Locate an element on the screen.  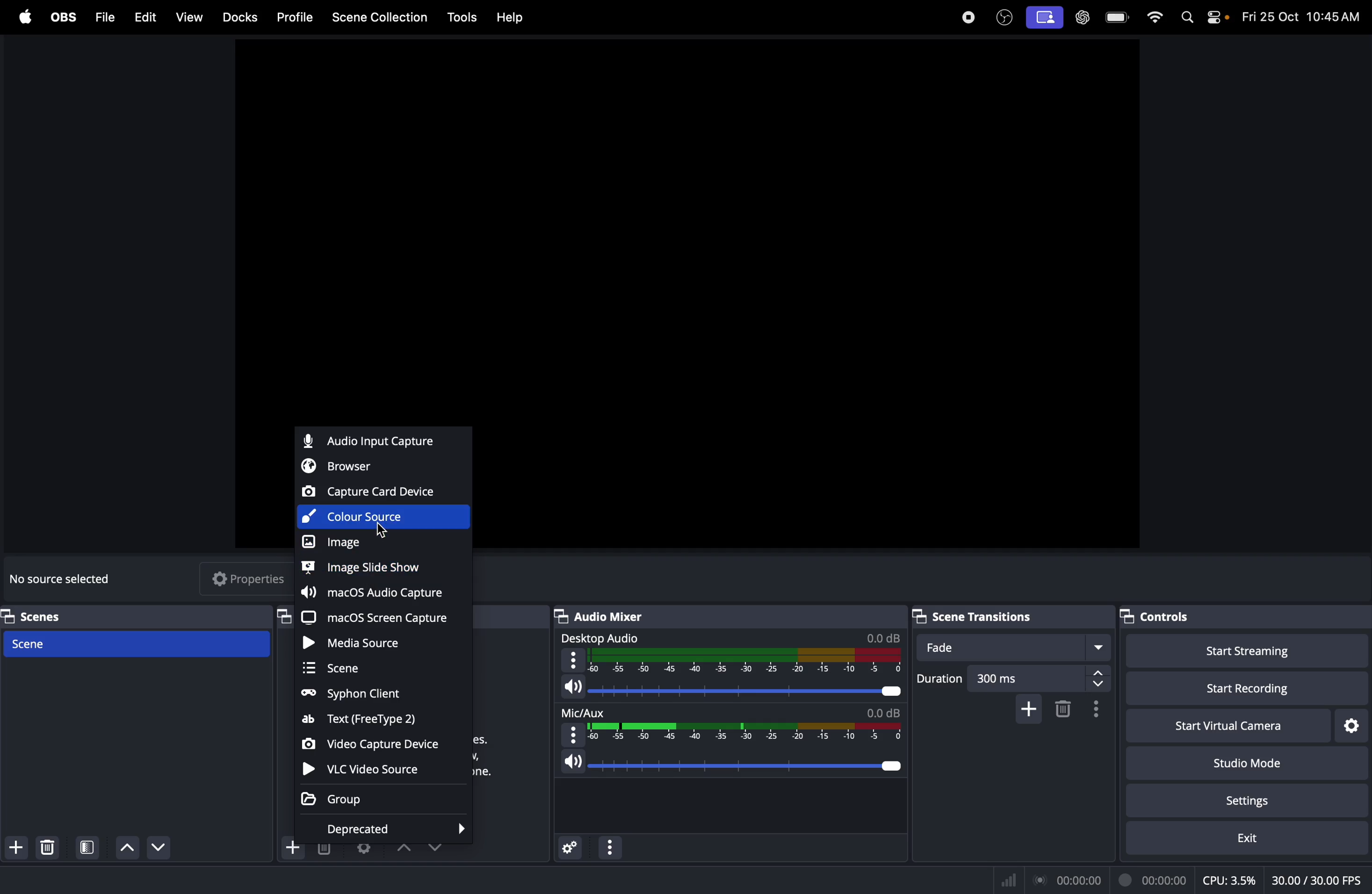
add source is located at coordinates (293, 851).